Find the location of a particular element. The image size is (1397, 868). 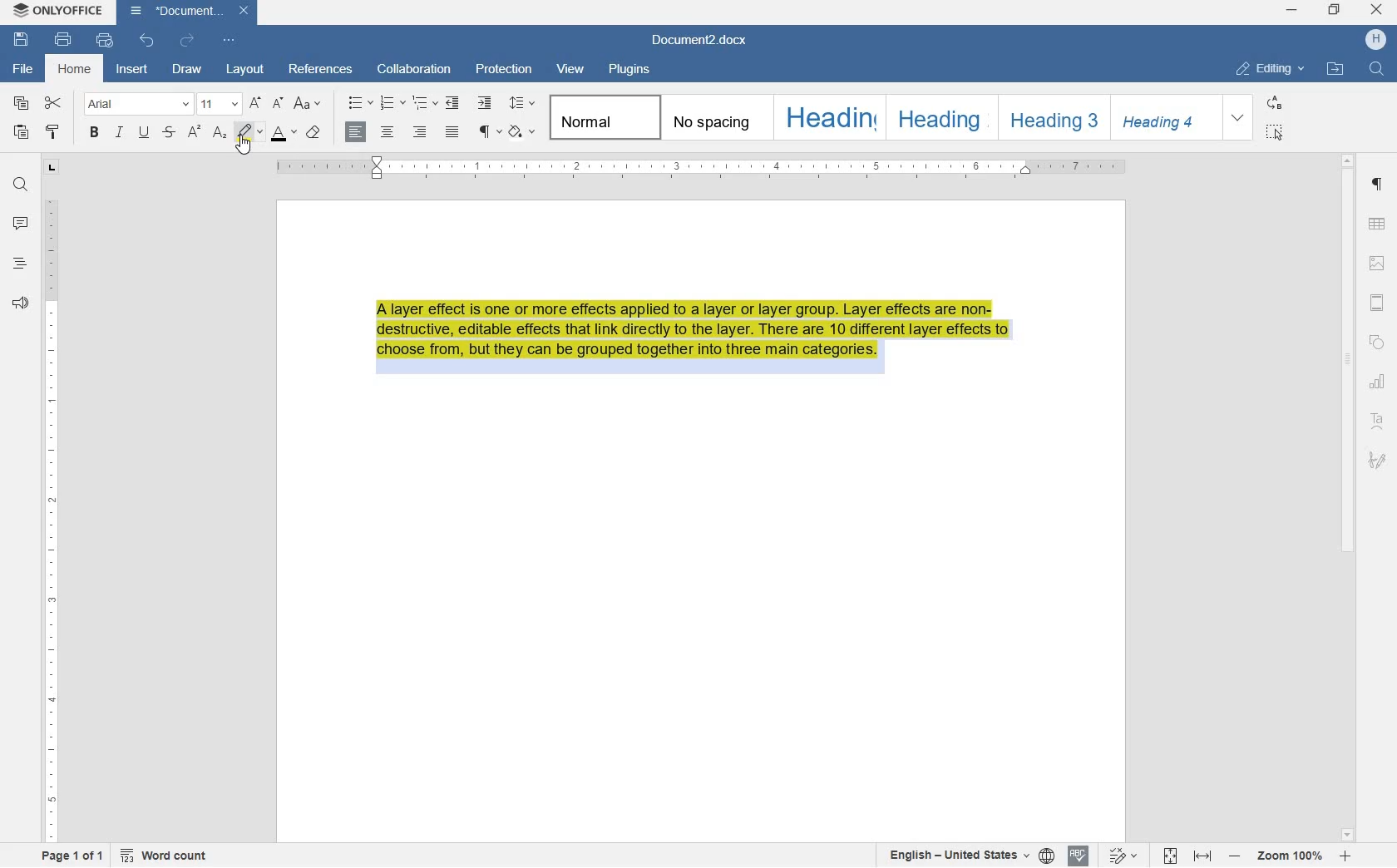

paragraph settings is located at coordinates (1376, 185).